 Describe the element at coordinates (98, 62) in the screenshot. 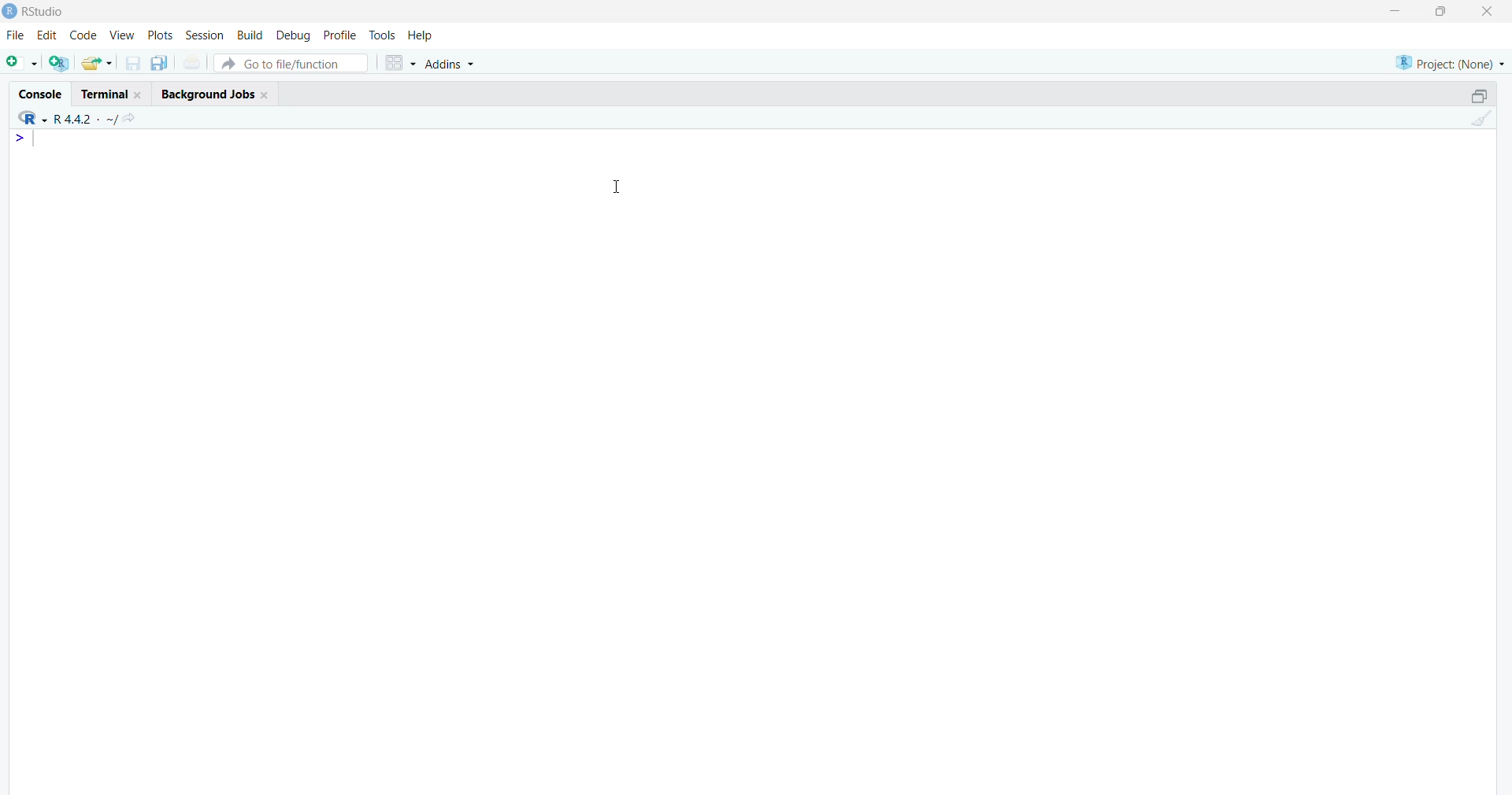

I see `open an existing file` at that location.